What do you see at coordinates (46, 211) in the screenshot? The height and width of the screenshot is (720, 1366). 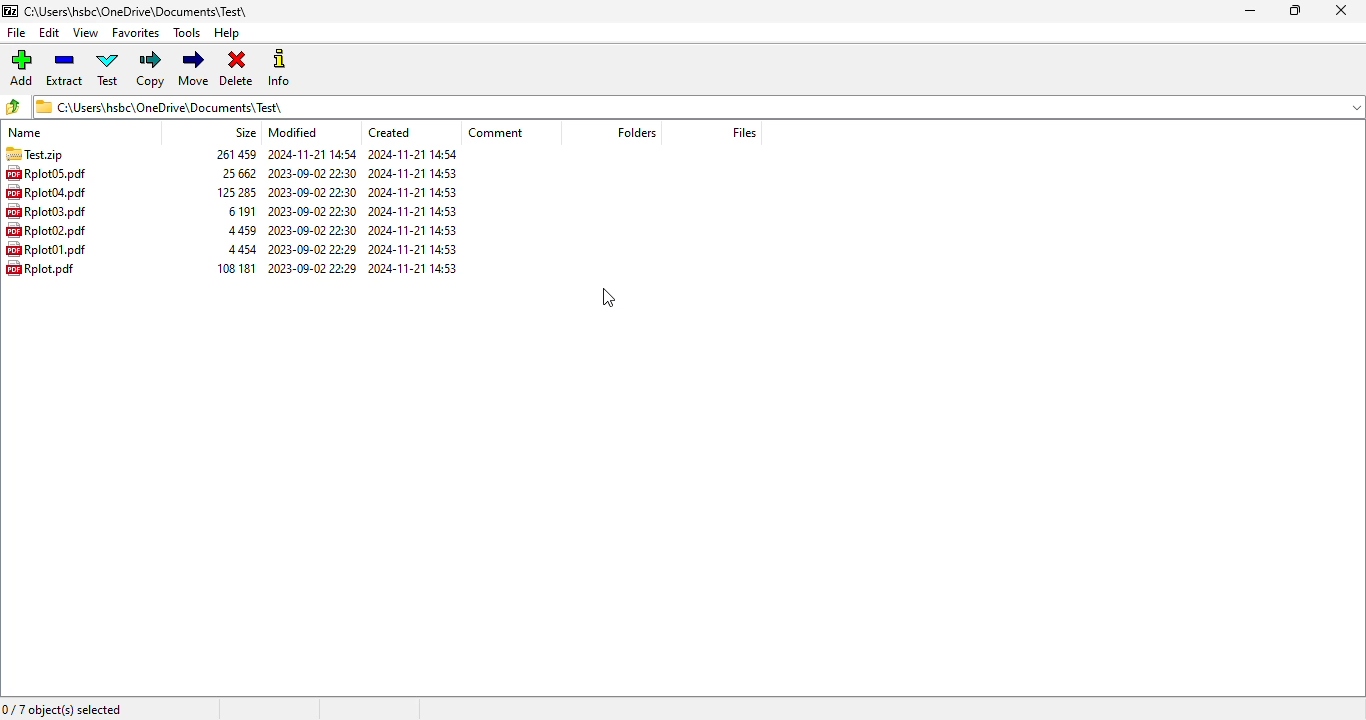 I see `rplot03` at bounding box center [46, 211].